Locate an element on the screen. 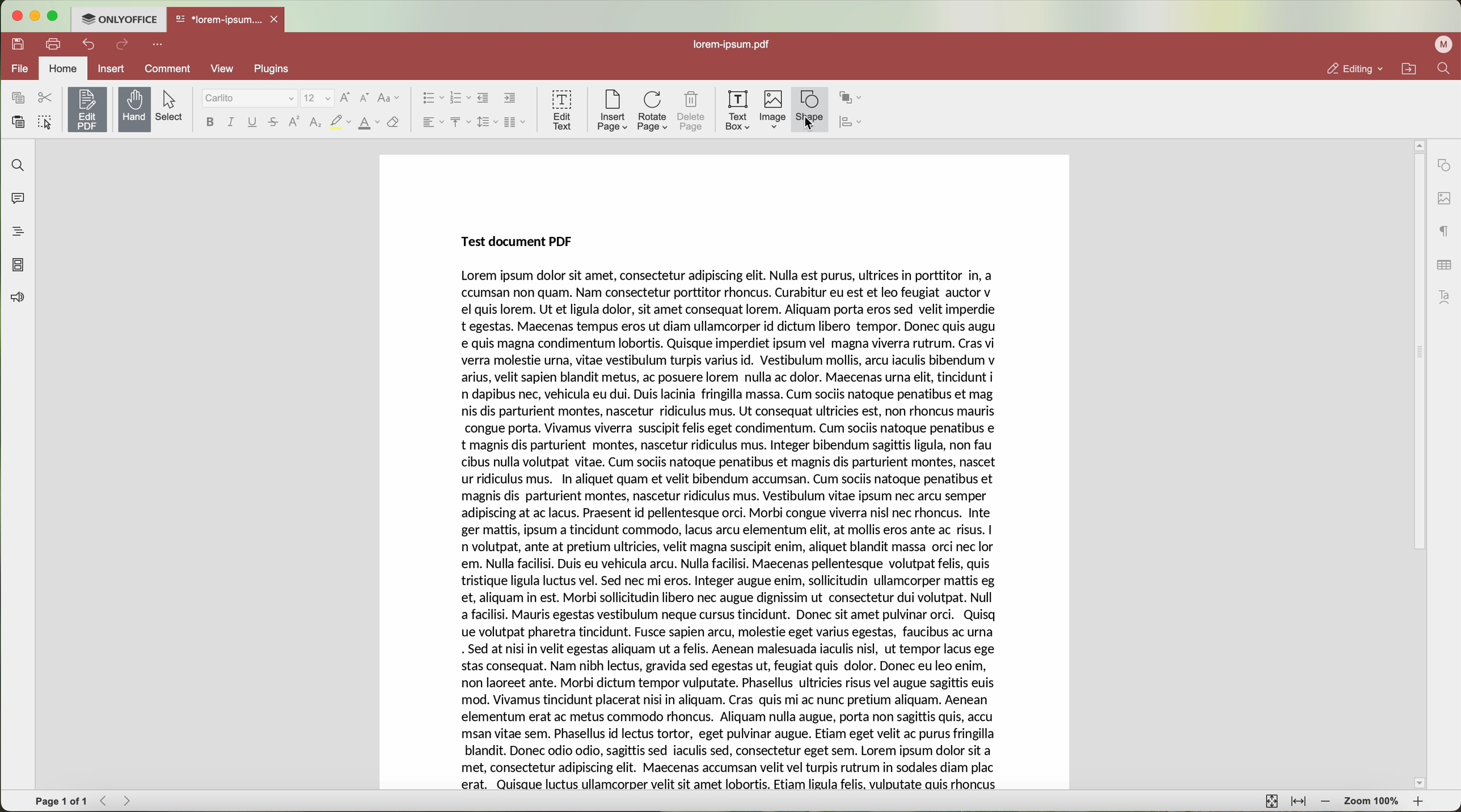  feedback and support is located at coordinates (18, 298).